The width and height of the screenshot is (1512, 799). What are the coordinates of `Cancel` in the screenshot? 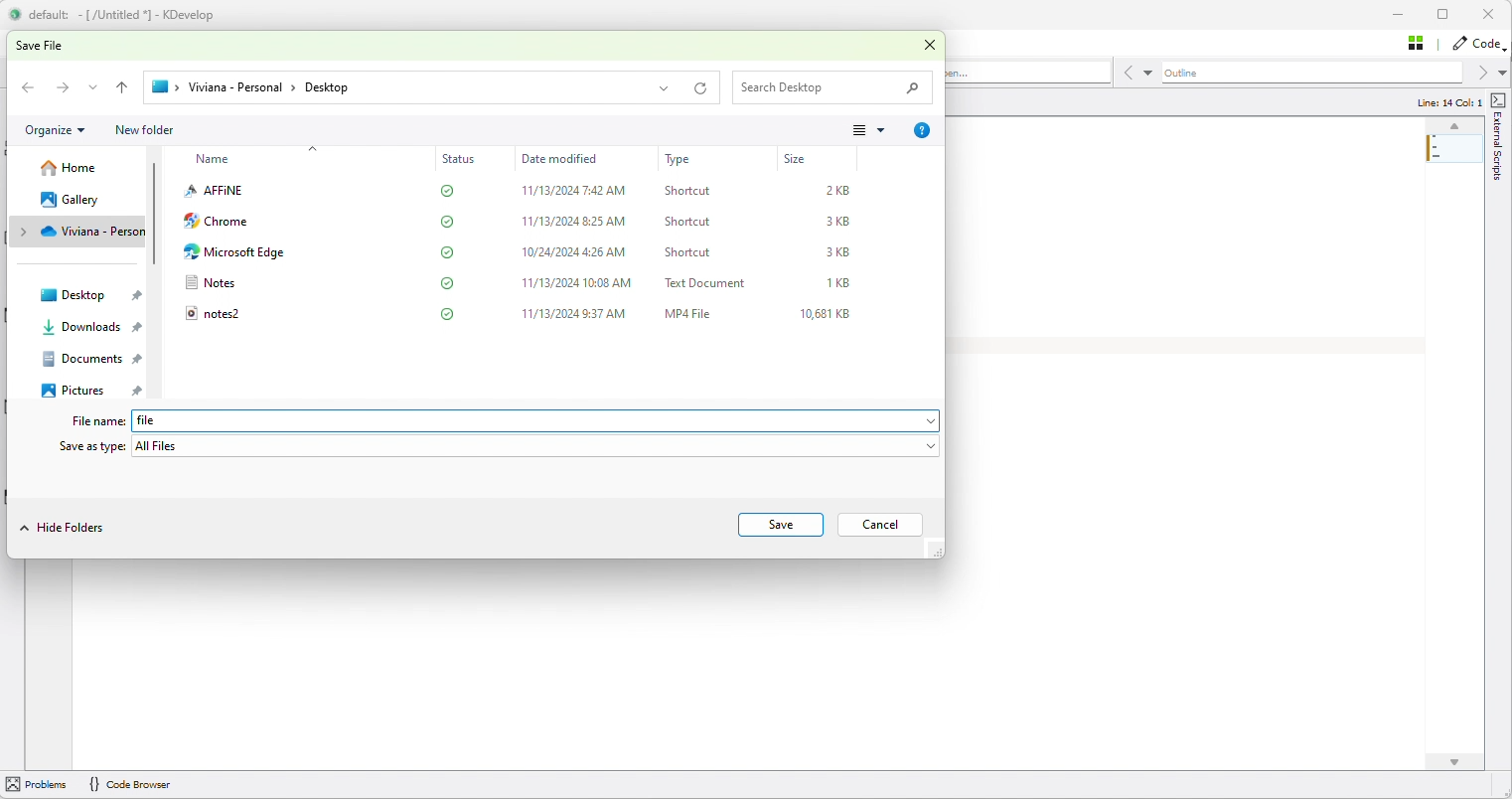 It's located at (877, 525).